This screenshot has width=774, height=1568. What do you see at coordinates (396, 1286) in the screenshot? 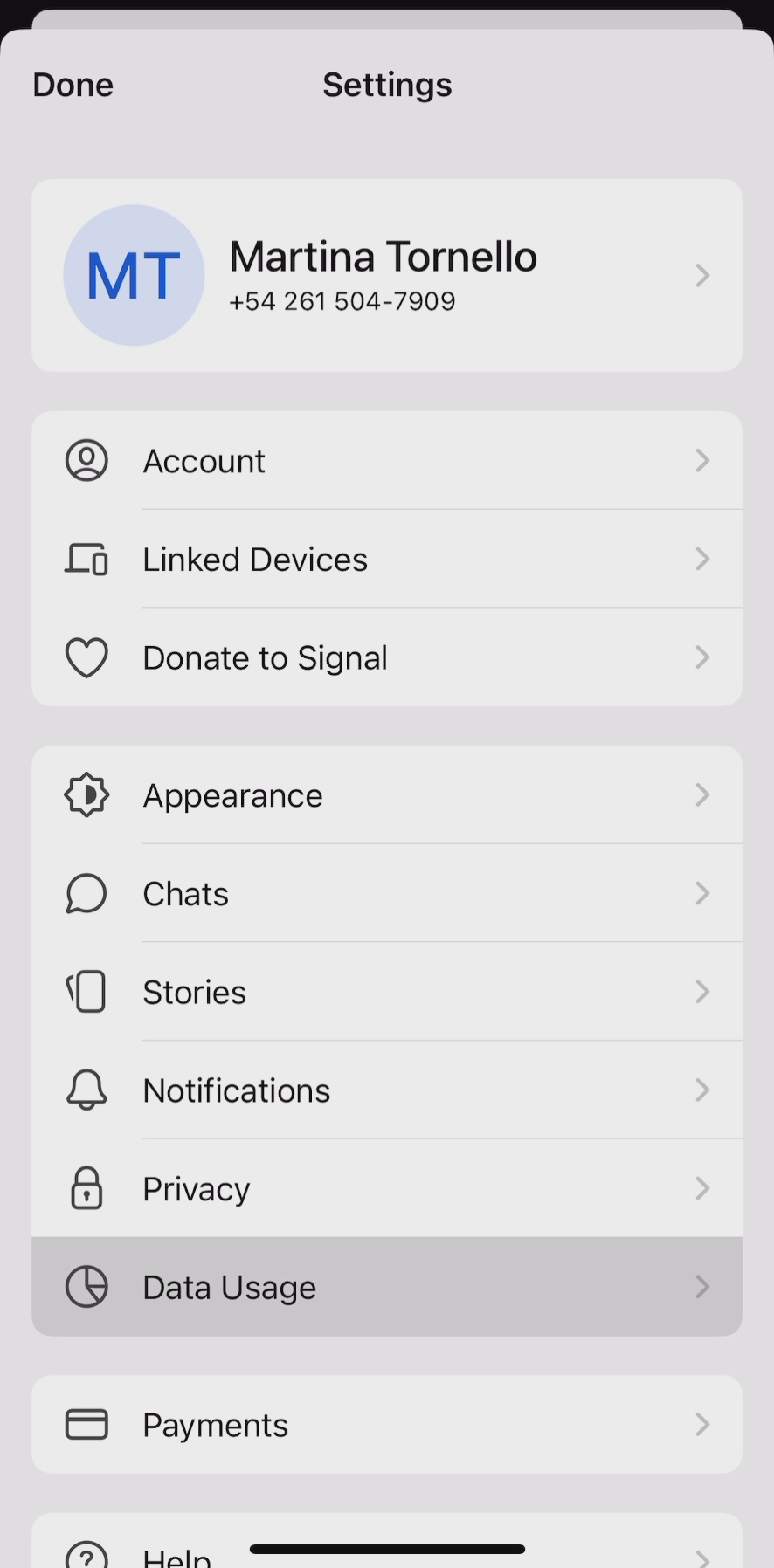
I see `data usage` at bounding box center [396, 1286].